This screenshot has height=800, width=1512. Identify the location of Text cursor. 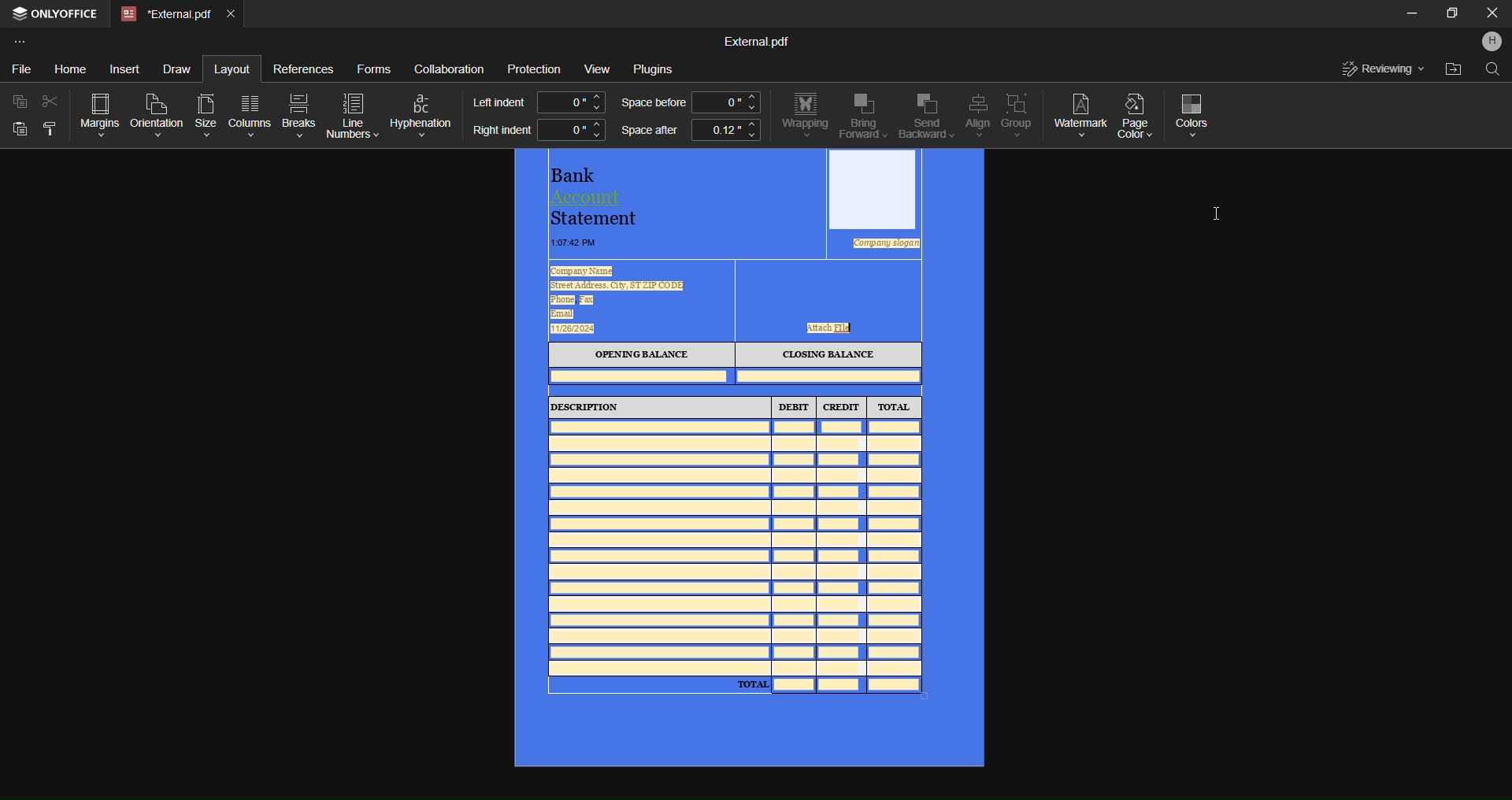
(1218, 213).